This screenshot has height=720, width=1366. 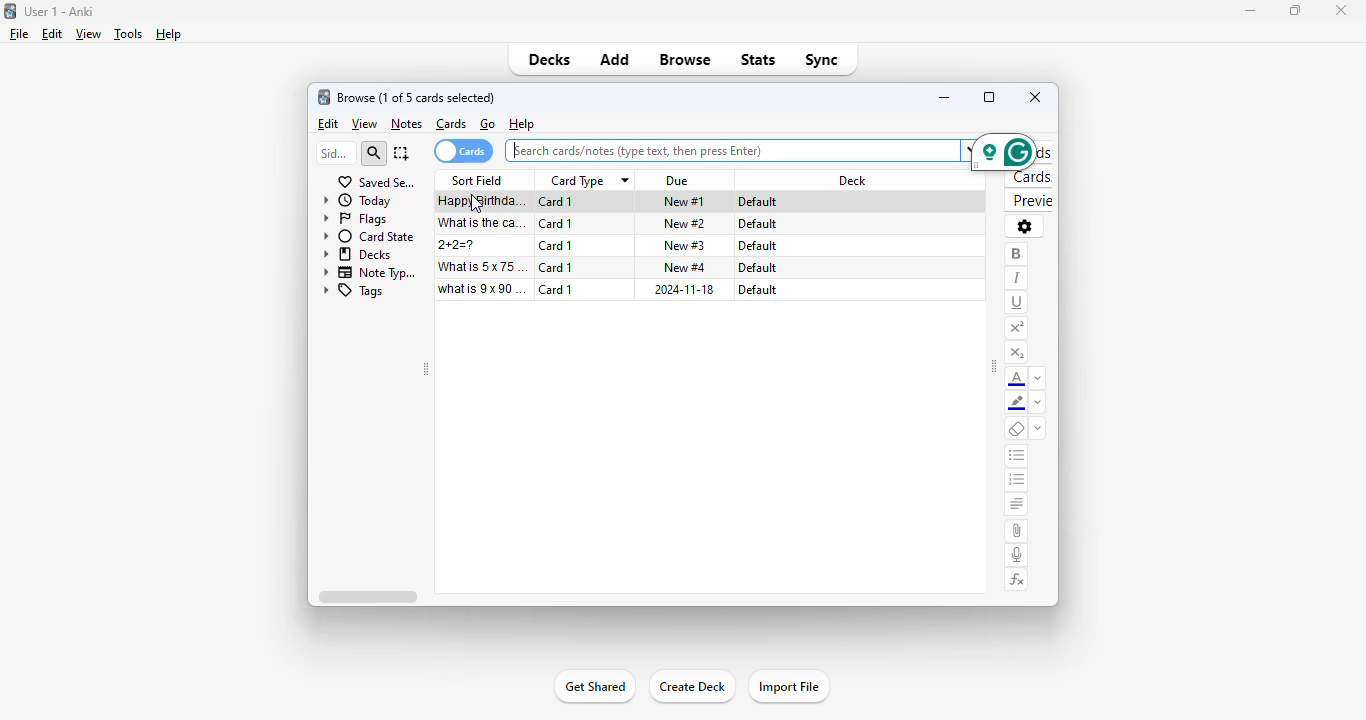 I want to click on search, so click(x=373, y=154).